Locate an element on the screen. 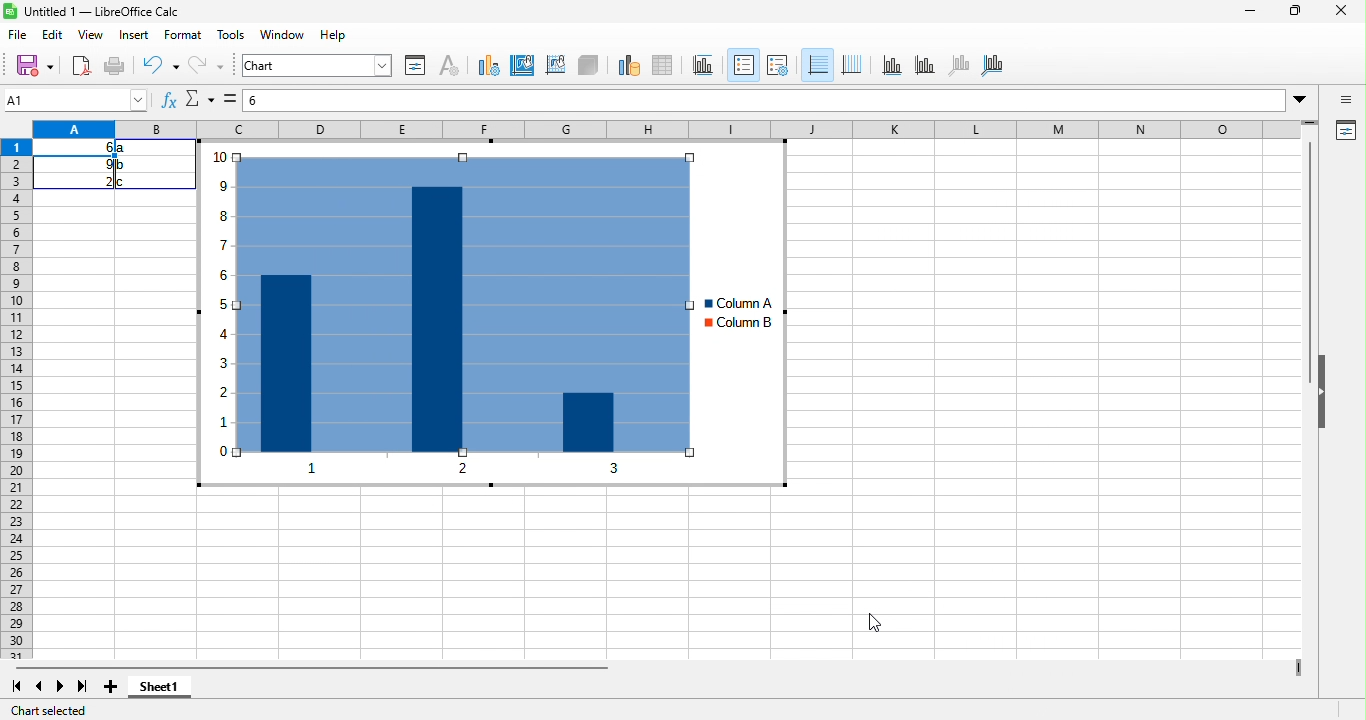  data ranges is located at coordinates (628, 66).